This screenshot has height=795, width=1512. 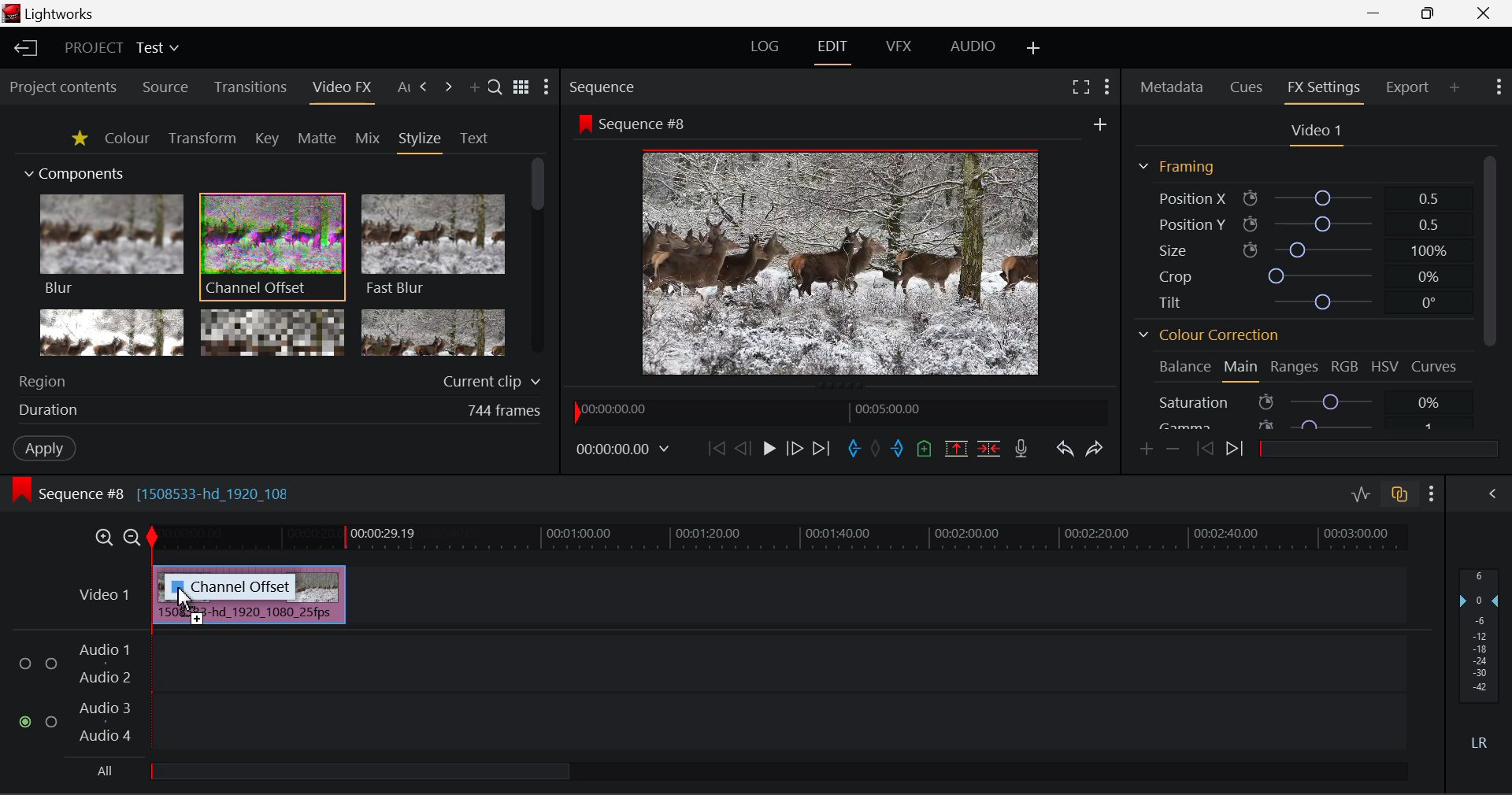 What do you see at coordinates (1480, 657) in the screenshot?
I see `Decibel Level` at bounding box center [1480, 657].